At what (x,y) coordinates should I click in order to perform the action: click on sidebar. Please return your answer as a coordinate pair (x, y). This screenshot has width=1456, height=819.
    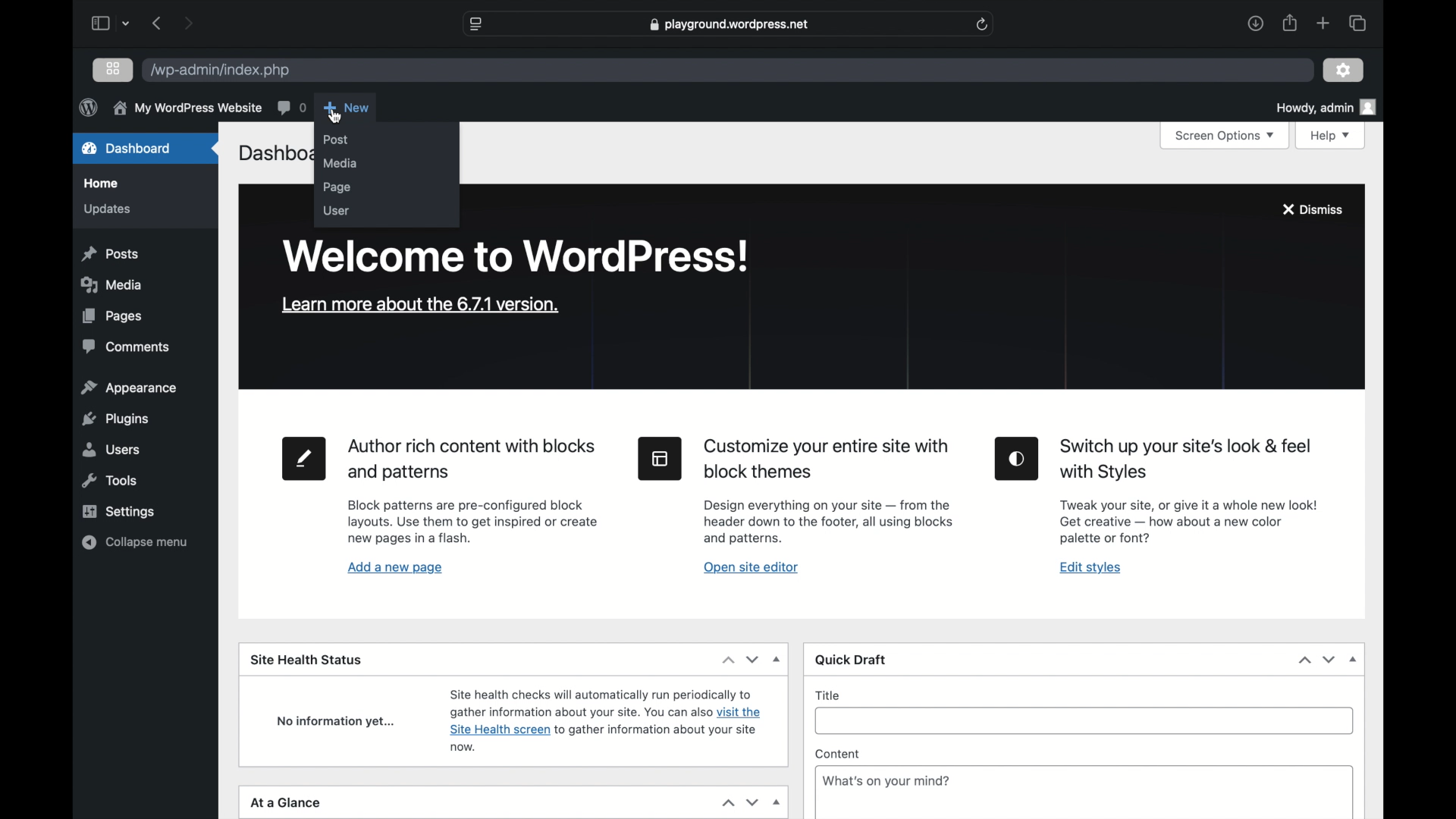
    Looking at the image, I should click on (101, 24).